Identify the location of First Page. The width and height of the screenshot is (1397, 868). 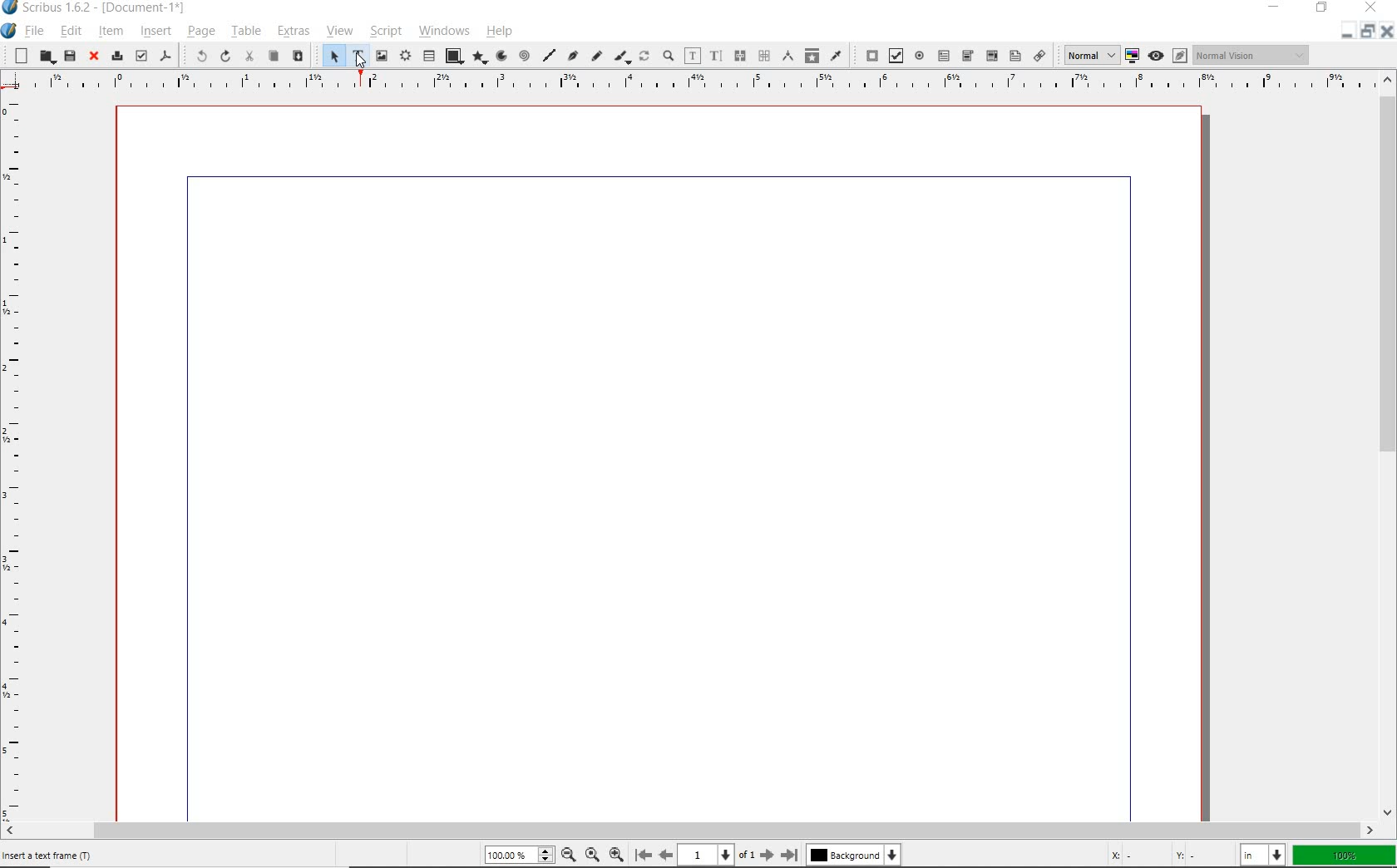
(644, 856).